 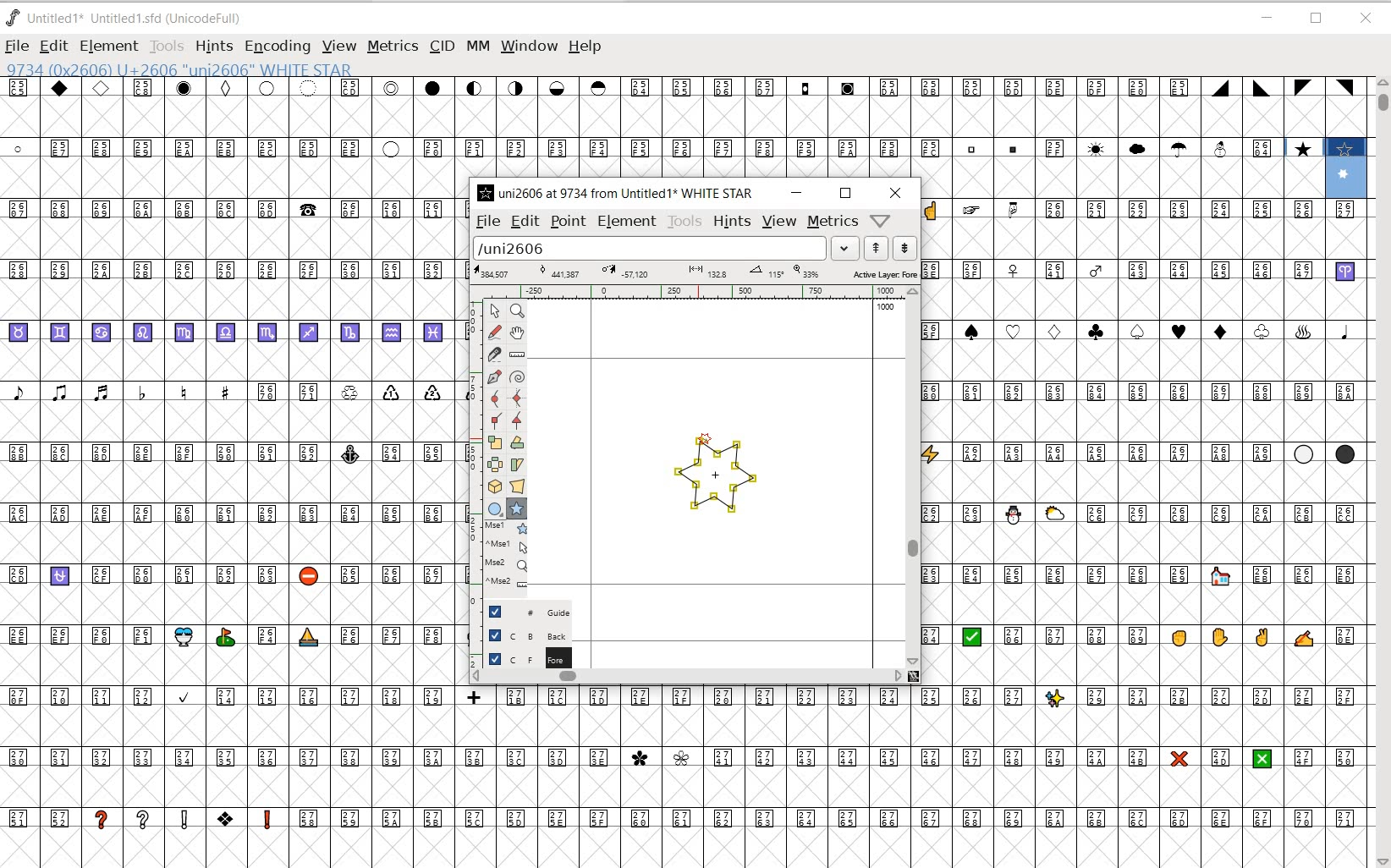 I want to click on TOOLS, so click(x=168, y=47).